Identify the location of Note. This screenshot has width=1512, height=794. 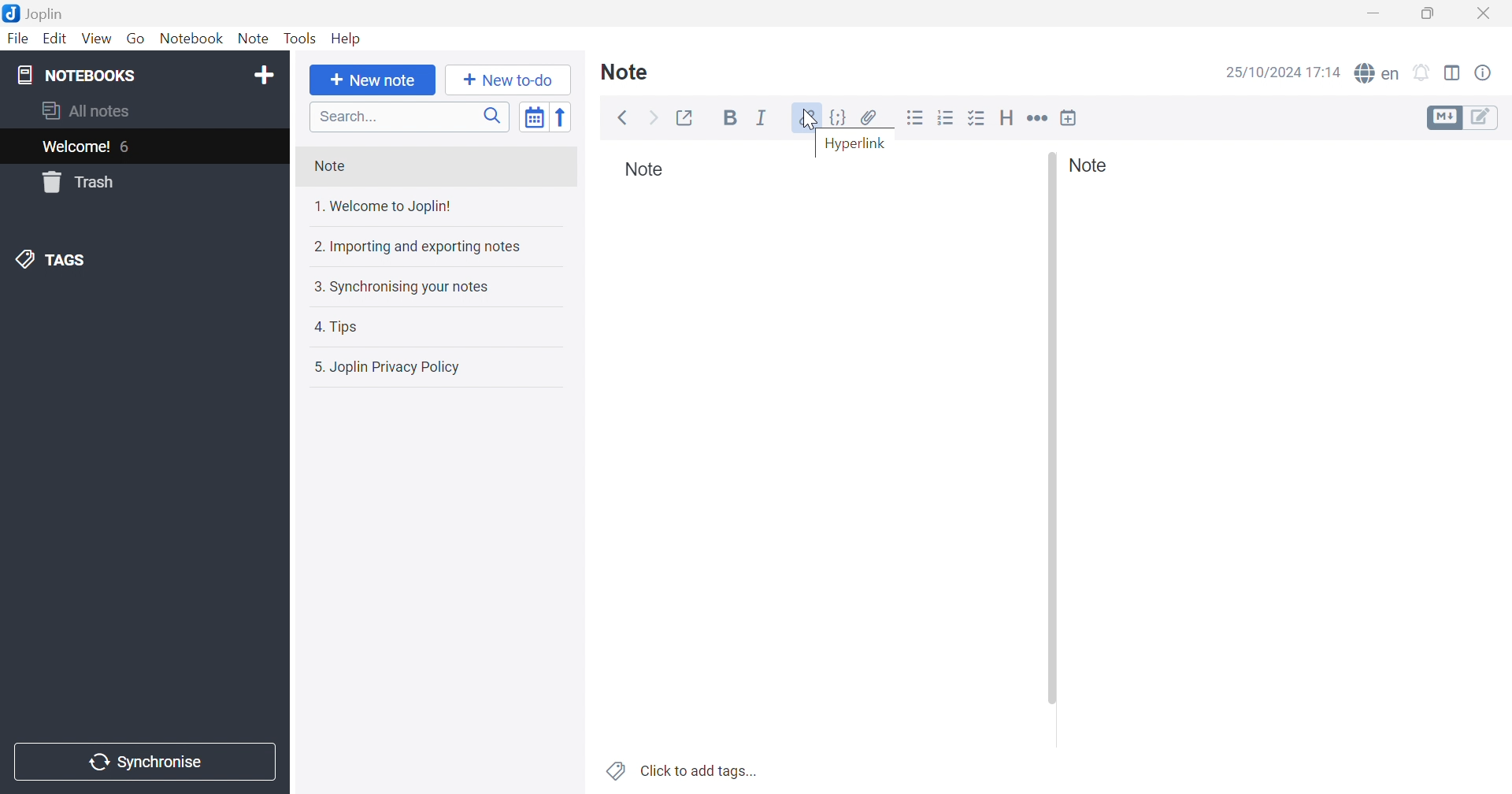
(645, 173).